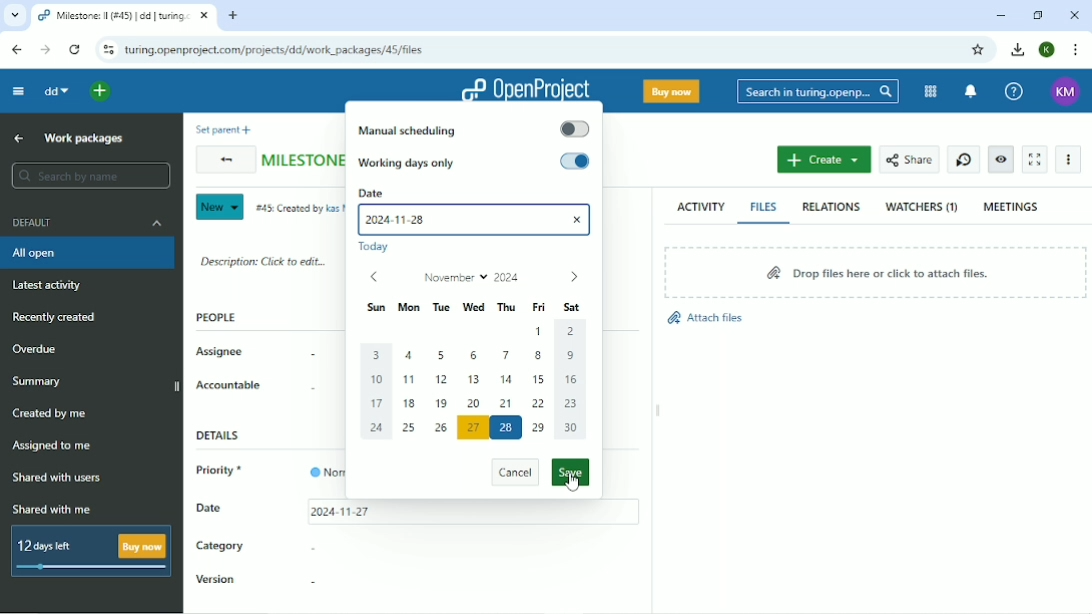  What do you see at coordinates (704, 318) in the screenshot?
I see `Attach files` at bounding box center [704, 318].